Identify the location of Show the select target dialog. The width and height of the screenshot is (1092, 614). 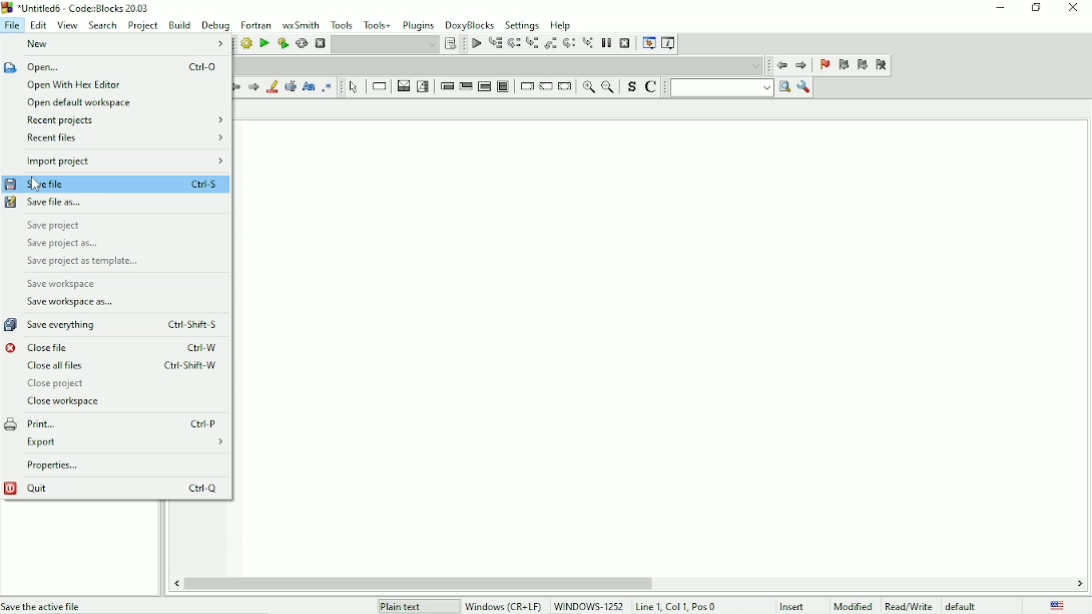
(451, 43).